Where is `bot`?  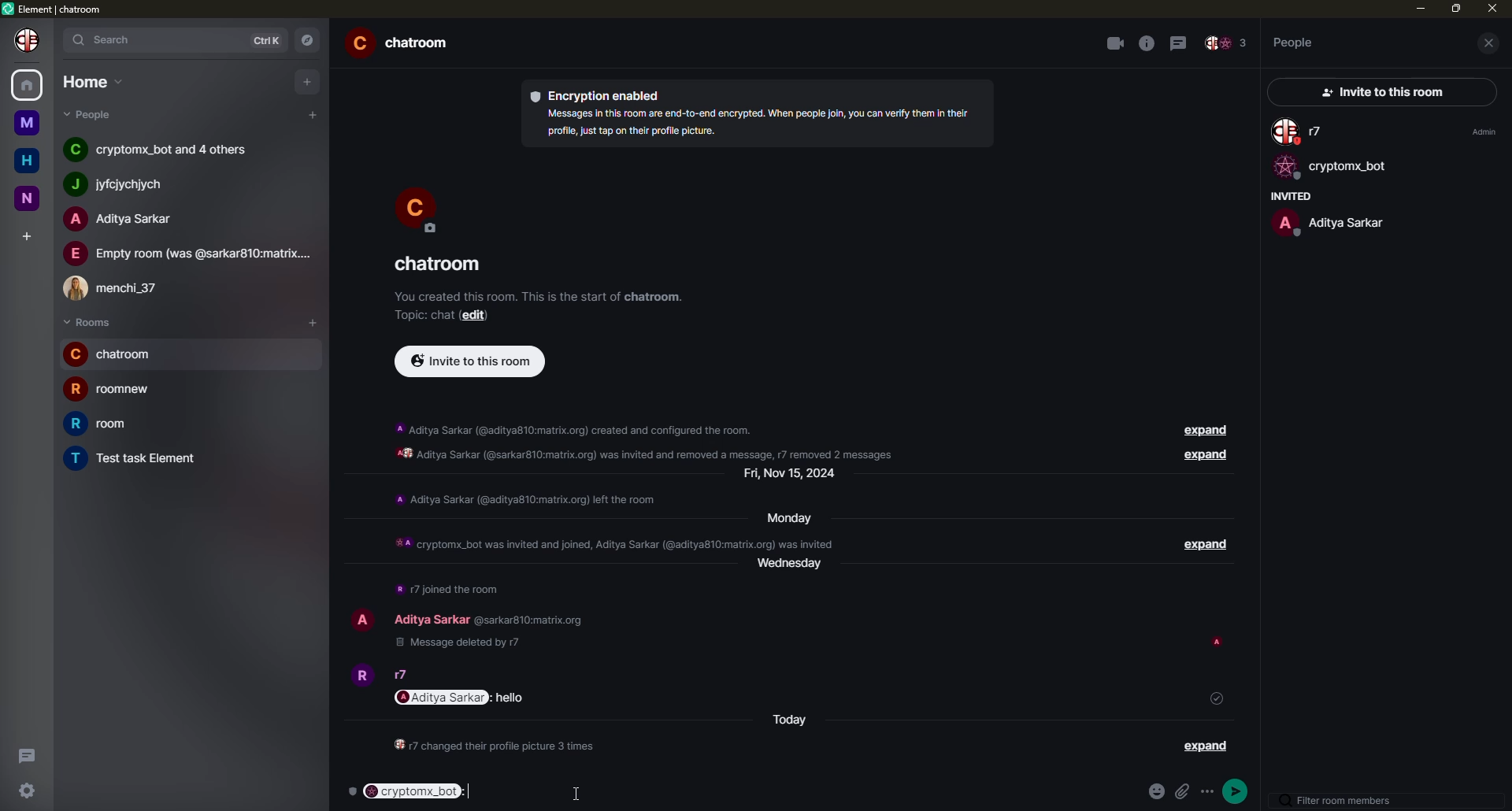
bot is located at coordinates (1330, 168).